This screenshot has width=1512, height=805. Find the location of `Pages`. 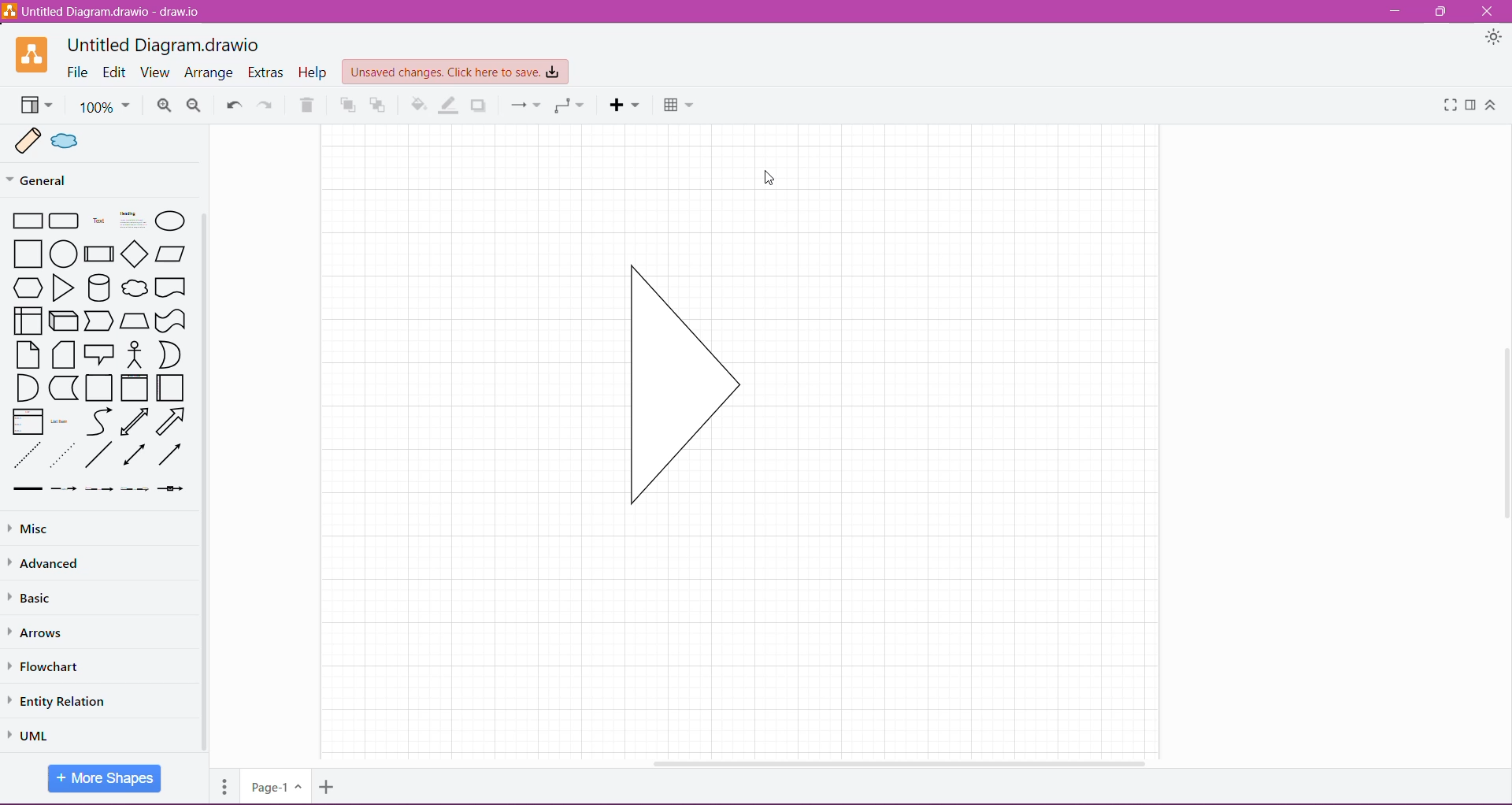

Pages is located at coordinates (223, 788).